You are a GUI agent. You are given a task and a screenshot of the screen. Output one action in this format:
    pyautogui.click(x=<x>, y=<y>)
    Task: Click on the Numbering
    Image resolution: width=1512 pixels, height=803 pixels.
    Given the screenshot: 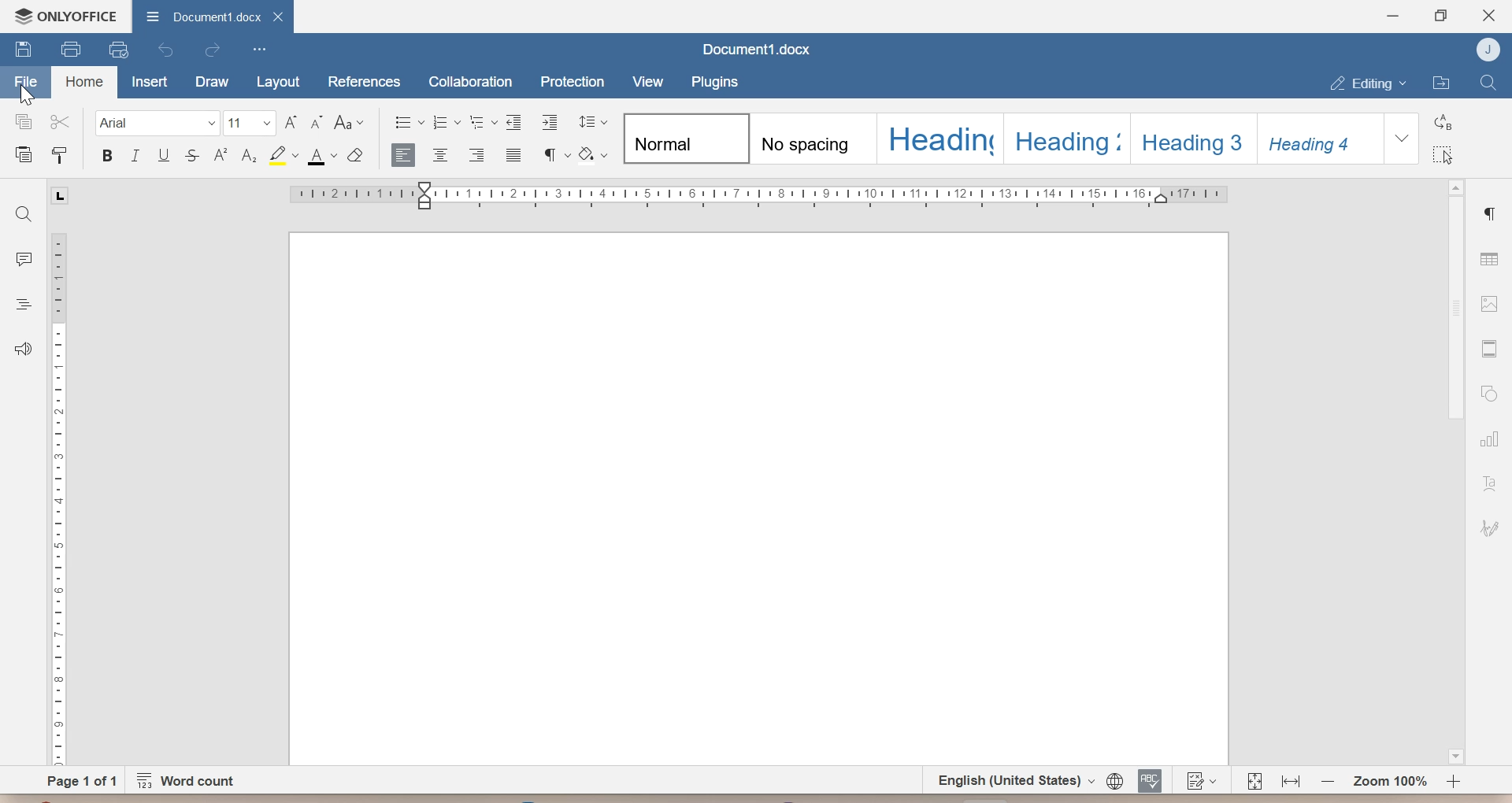 What is the action you would take?
    pyautogui.click(x=446, y=123)
    